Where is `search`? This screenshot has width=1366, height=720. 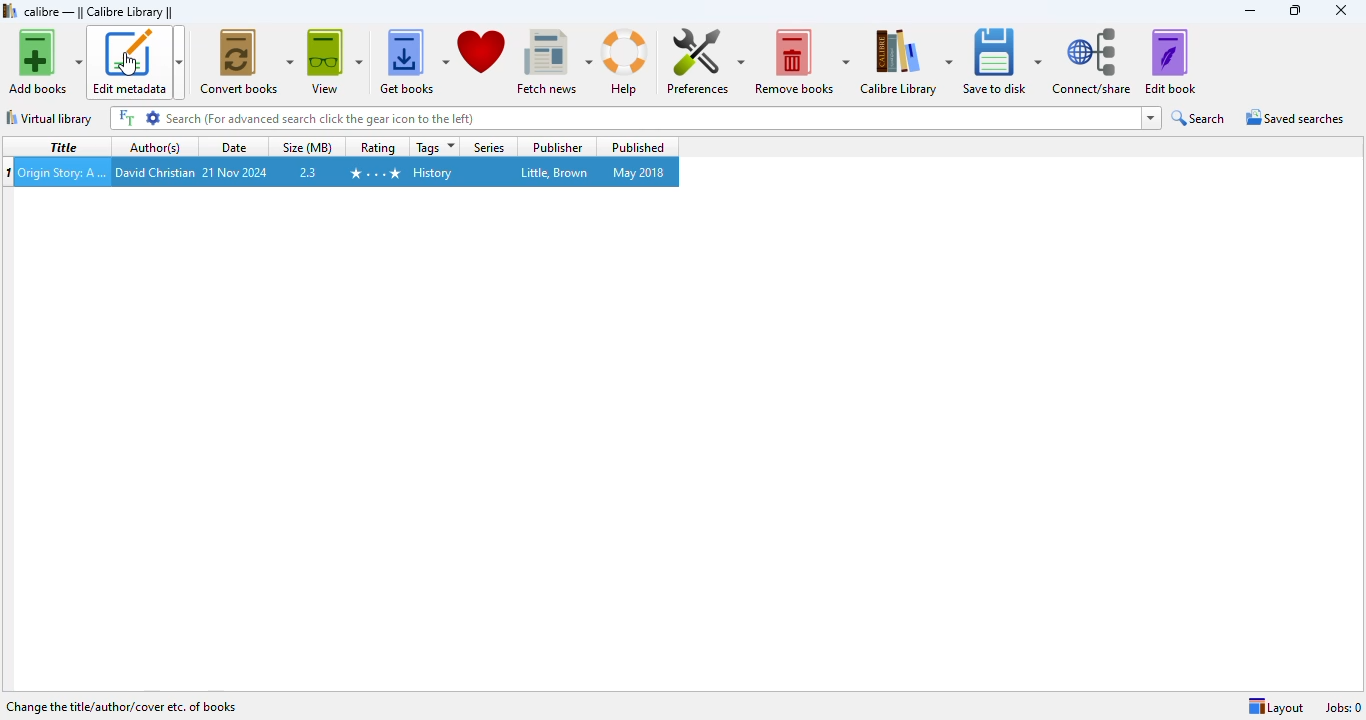
search is located at coordinates (1197, 117).